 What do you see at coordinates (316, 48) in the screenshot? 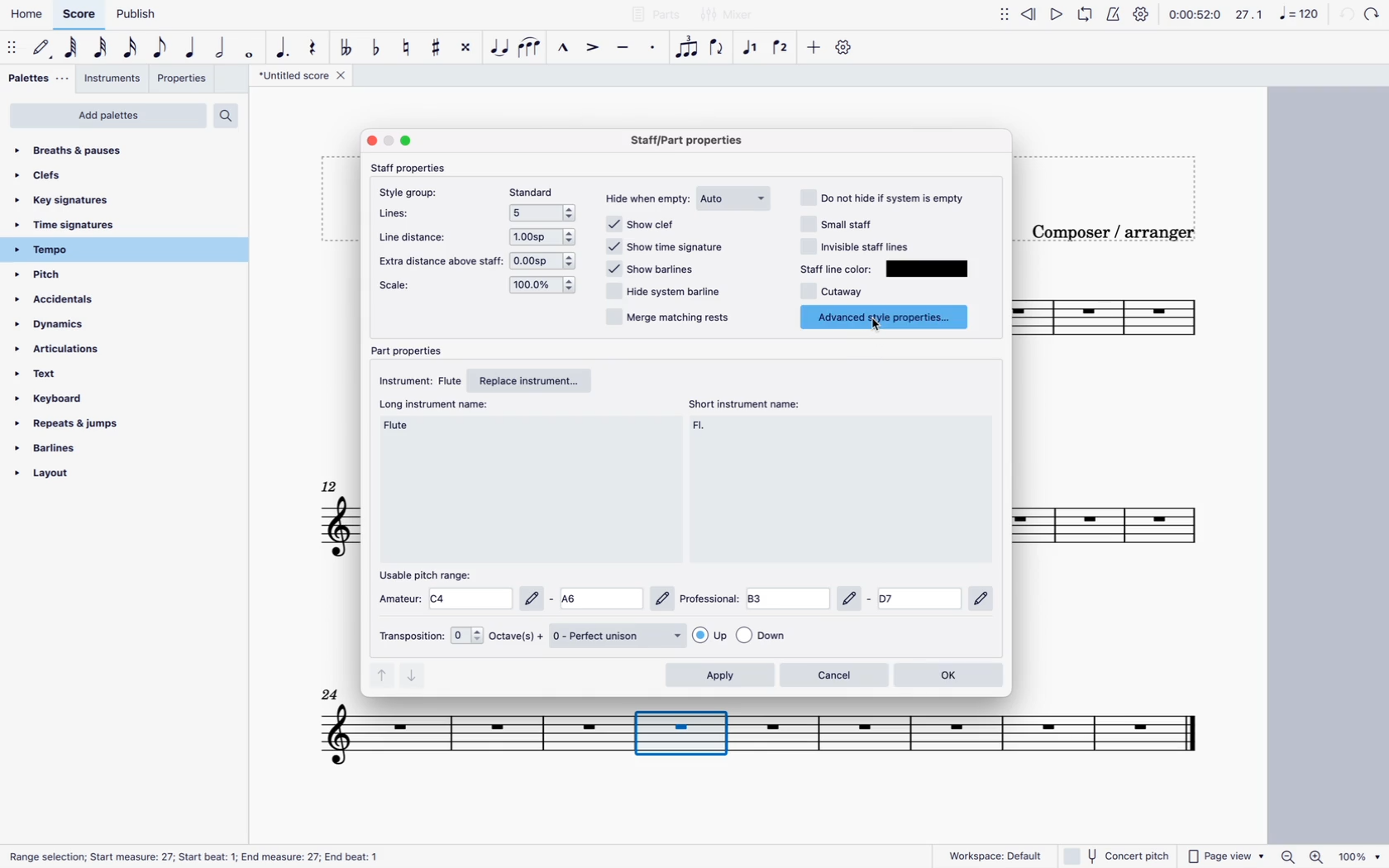
I see `rest` at bounding box center [316, 48].